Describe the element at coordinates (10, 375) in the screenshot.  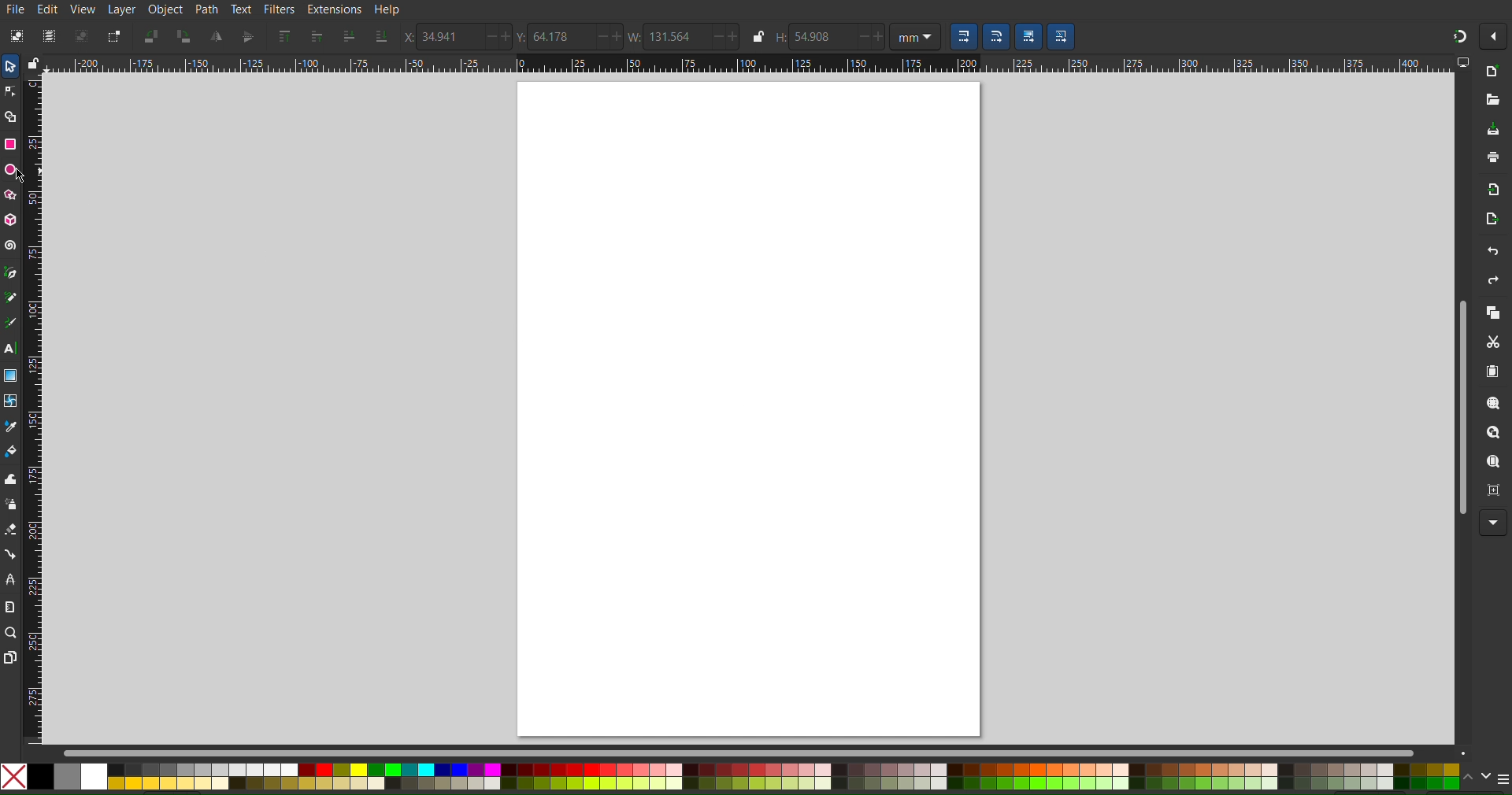
I see `Gradient Tool` at that location.